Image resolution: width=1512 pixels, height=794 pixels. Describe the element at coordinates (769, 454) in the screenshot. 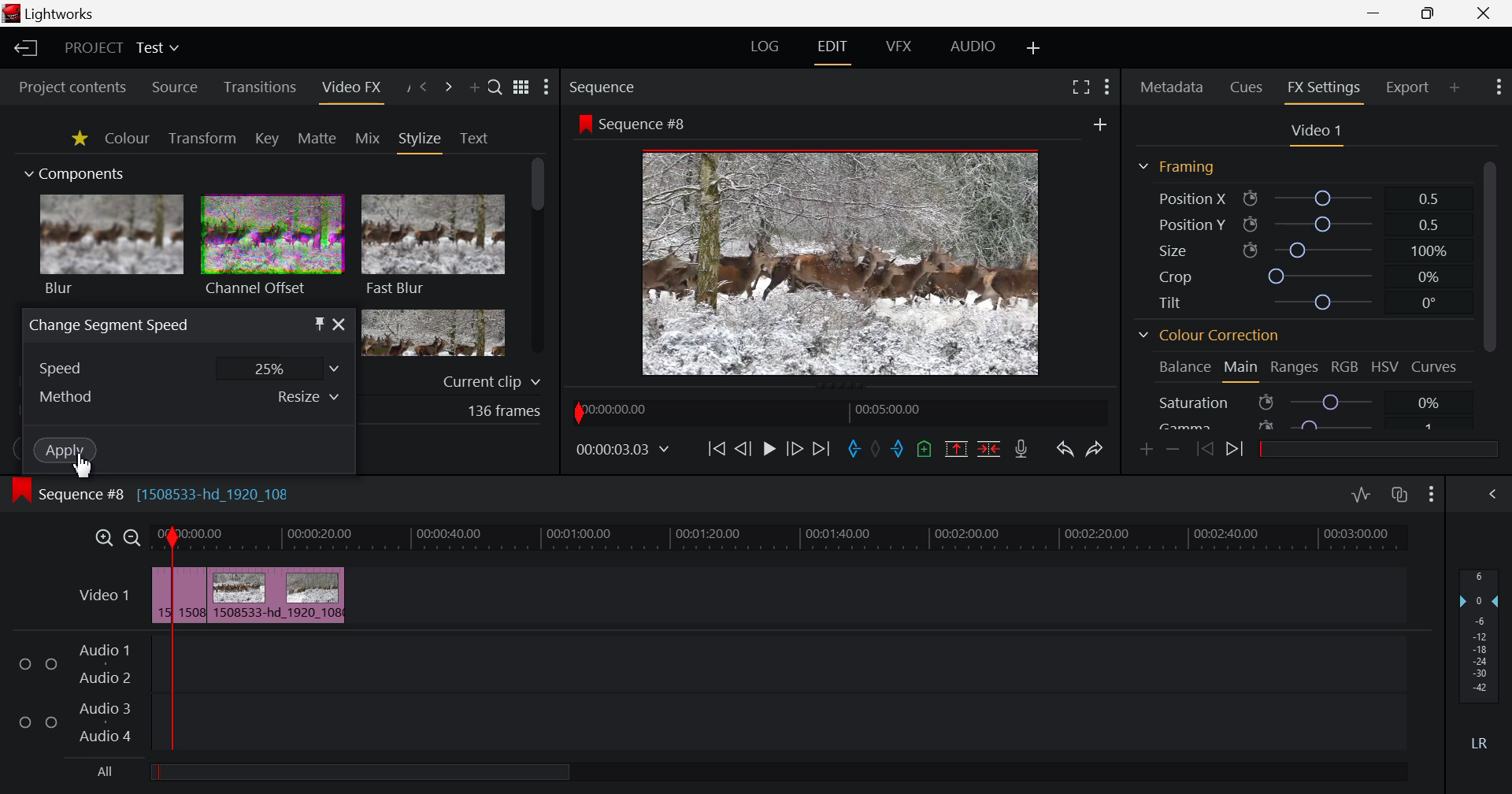

I see `Video Played` at that location.